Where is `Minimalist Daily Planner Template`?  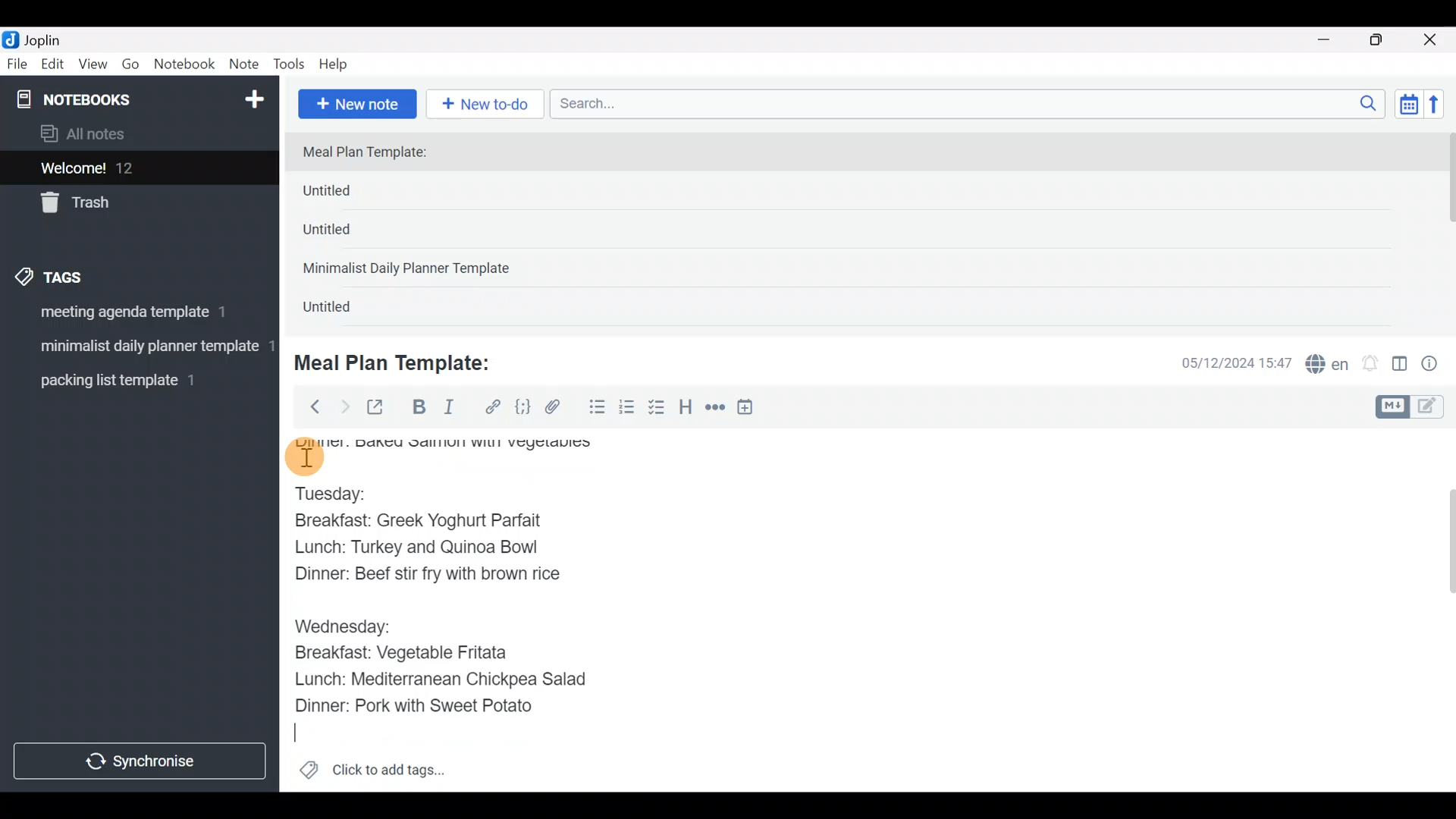 Minimalist Daily Planner Template is located at coordinates (411, 270).